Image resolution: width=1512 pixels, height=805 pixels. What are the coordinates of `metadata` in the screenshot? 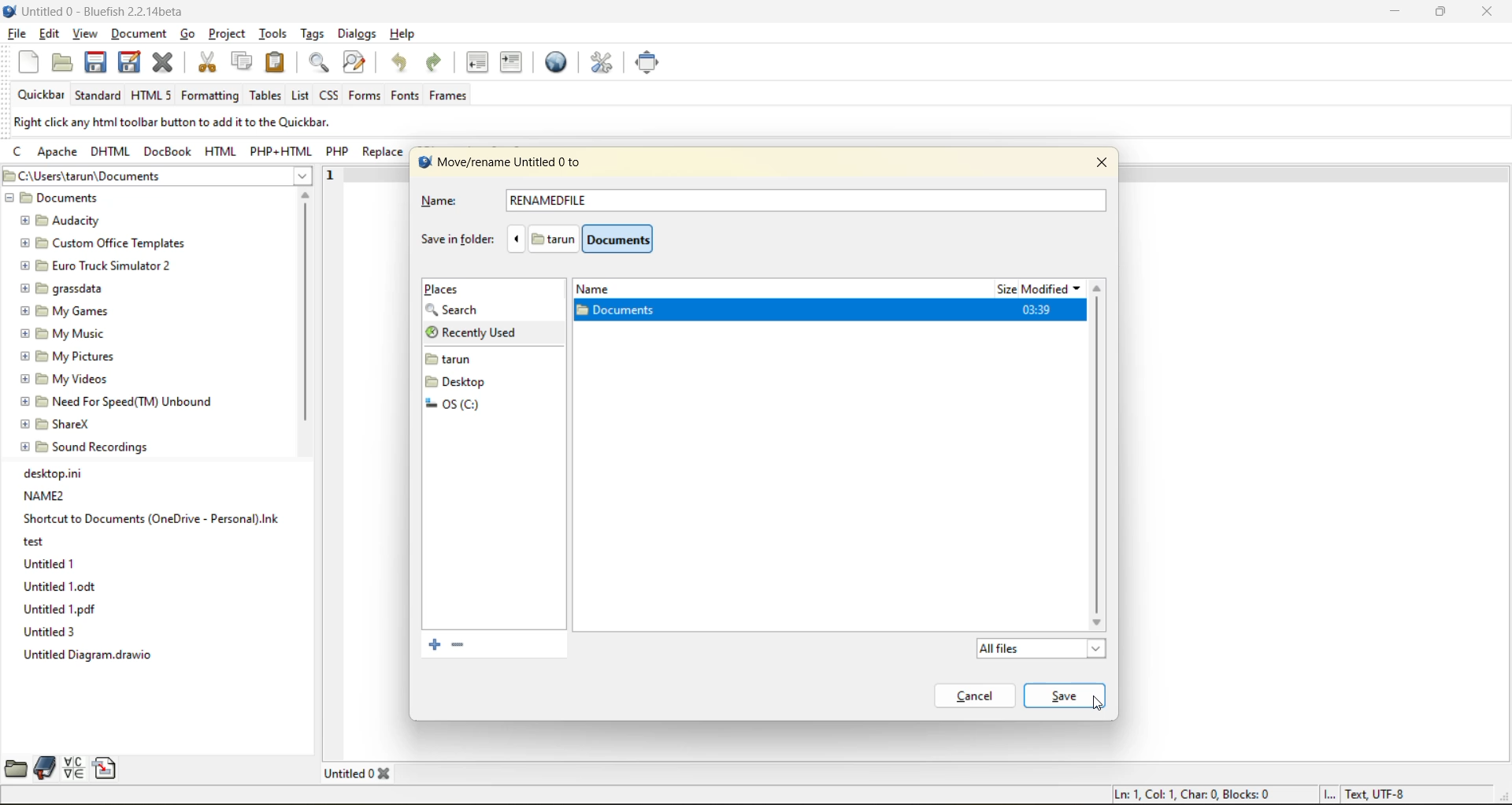 It's located at (1262, 795).